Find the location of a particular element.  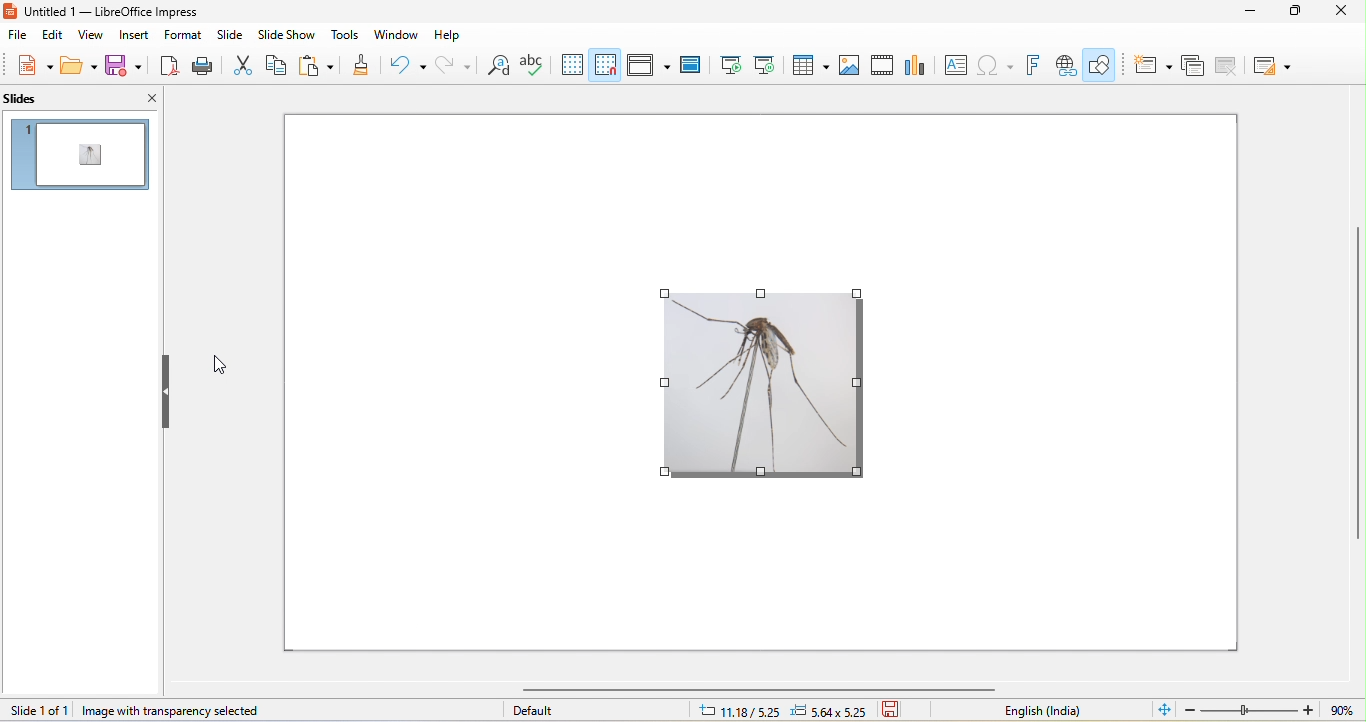

start from current is located at coordinates (765, 64).